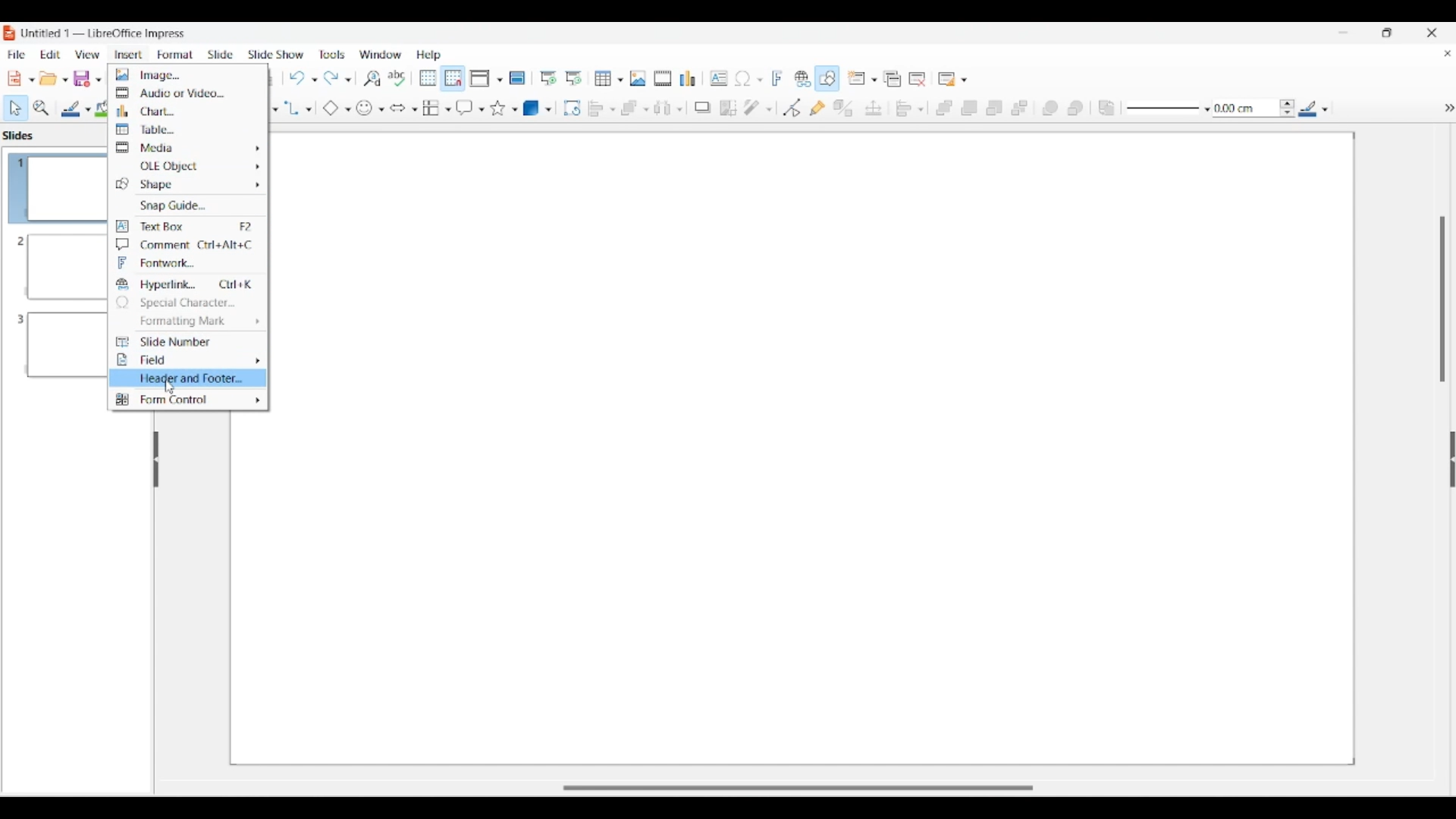  Describe the element at coordinates (1050, 108) in the screenshot. I see `Infornt object` at that location.